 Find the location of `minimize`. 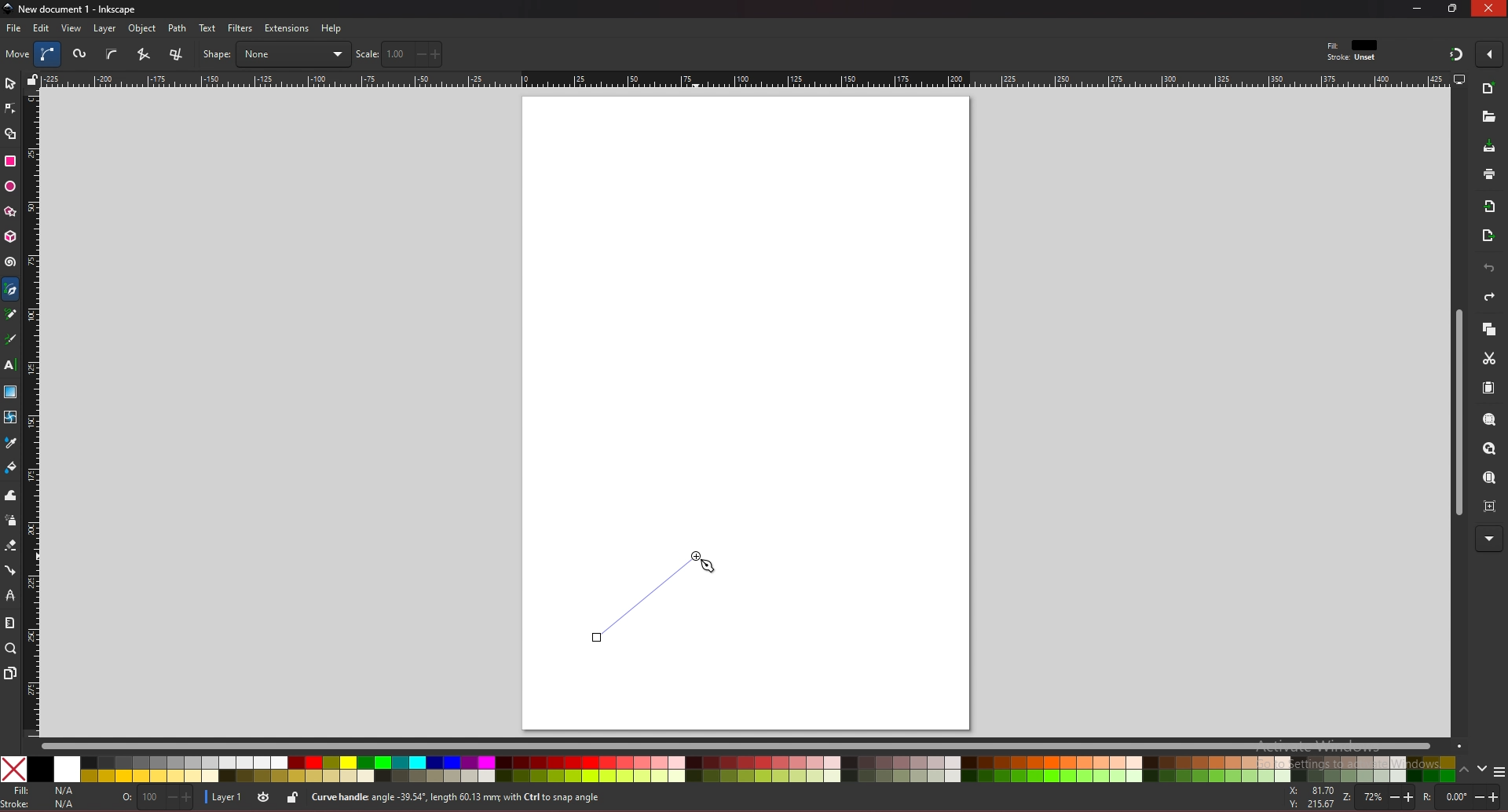

minimize is located at coordinates (1418, 8).